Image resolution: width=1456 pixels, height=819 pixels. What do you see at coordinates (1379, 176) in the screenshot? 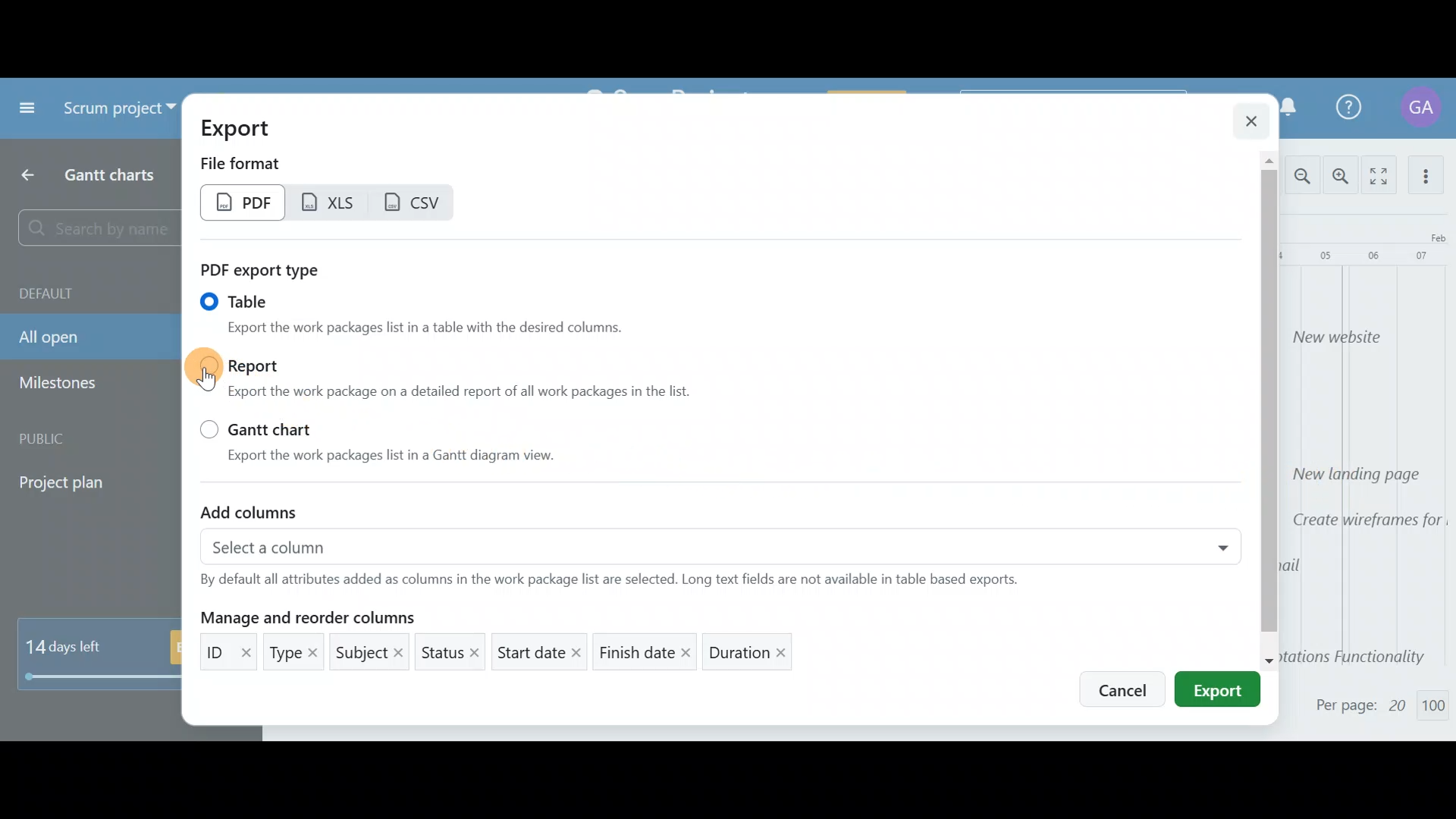
I see `Activate zen mode` at bounding box center [1379, 176].